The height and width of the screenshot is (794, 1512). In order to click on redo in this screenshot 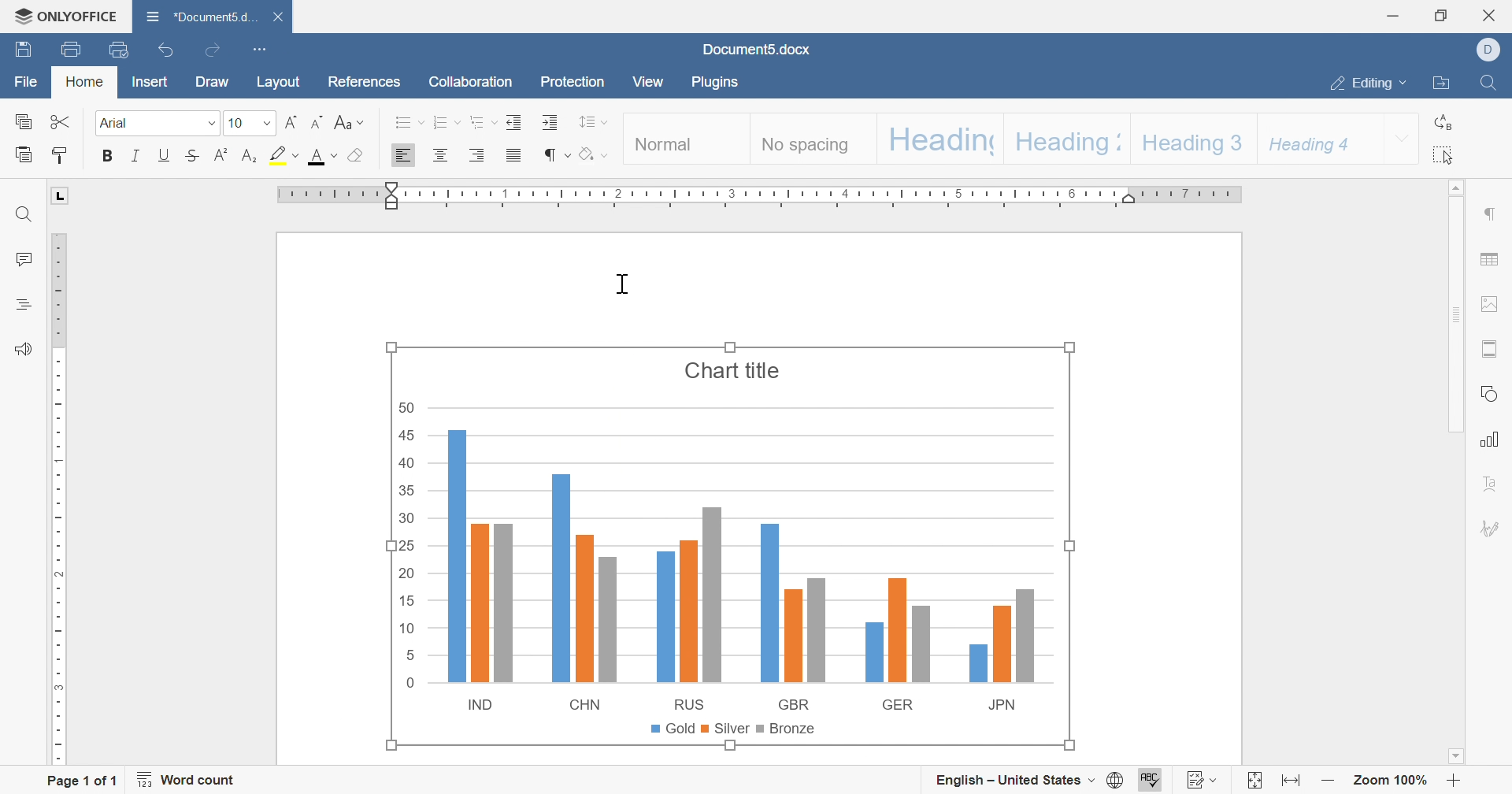, I will do `click(213, 49)`.